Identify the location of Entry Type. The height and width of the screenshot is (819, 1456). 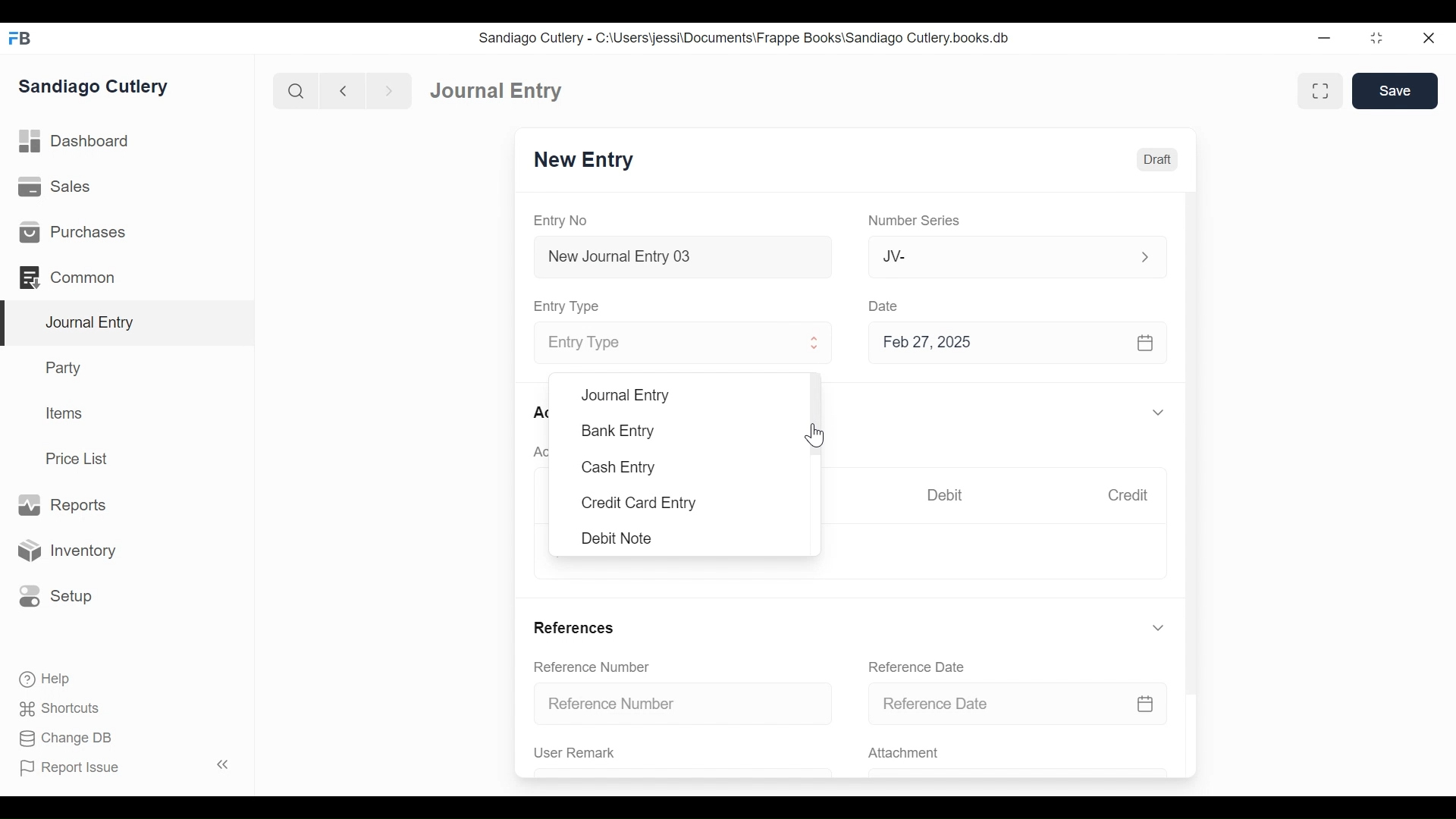
(570, 307).